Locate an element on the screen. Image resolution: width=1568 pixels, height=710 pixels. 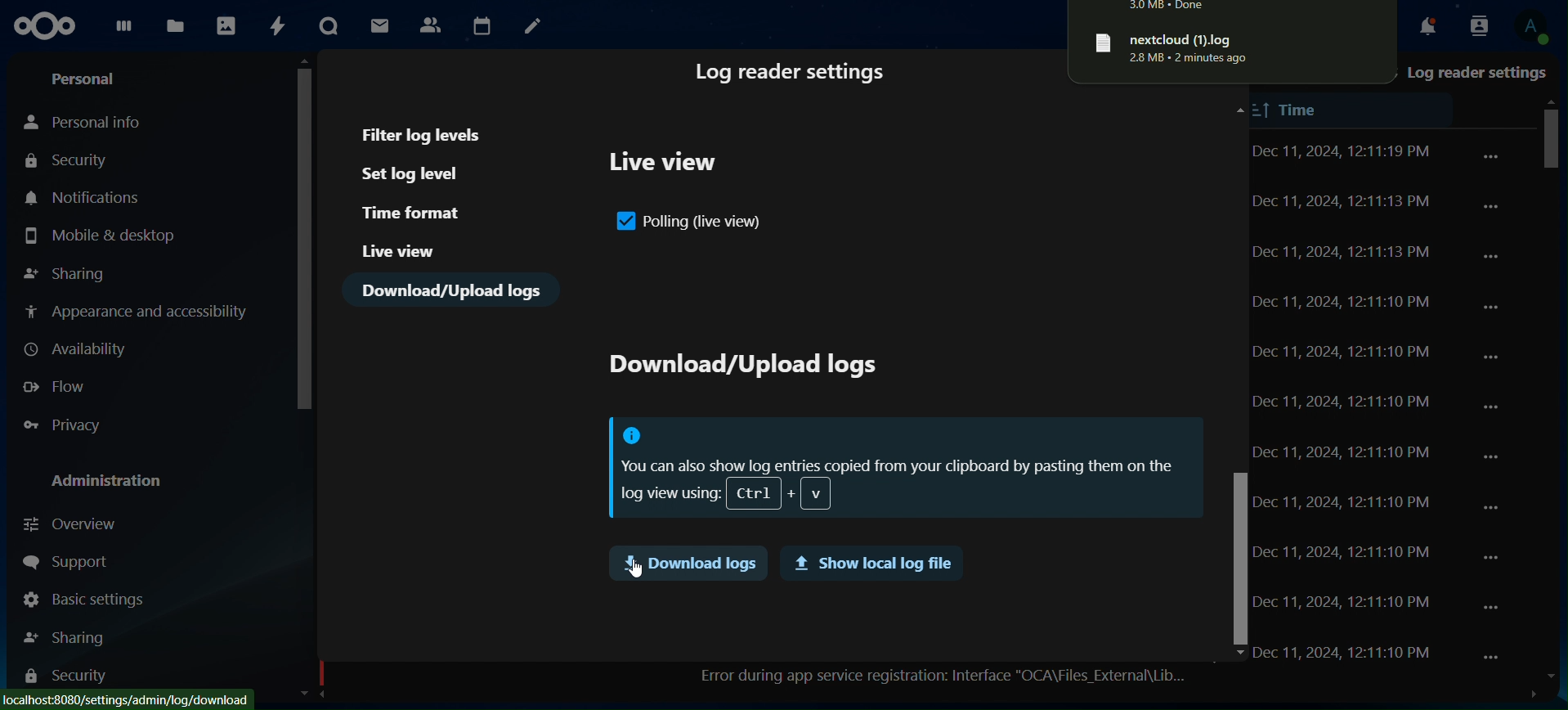
... is located at coordinates (1491, 607).